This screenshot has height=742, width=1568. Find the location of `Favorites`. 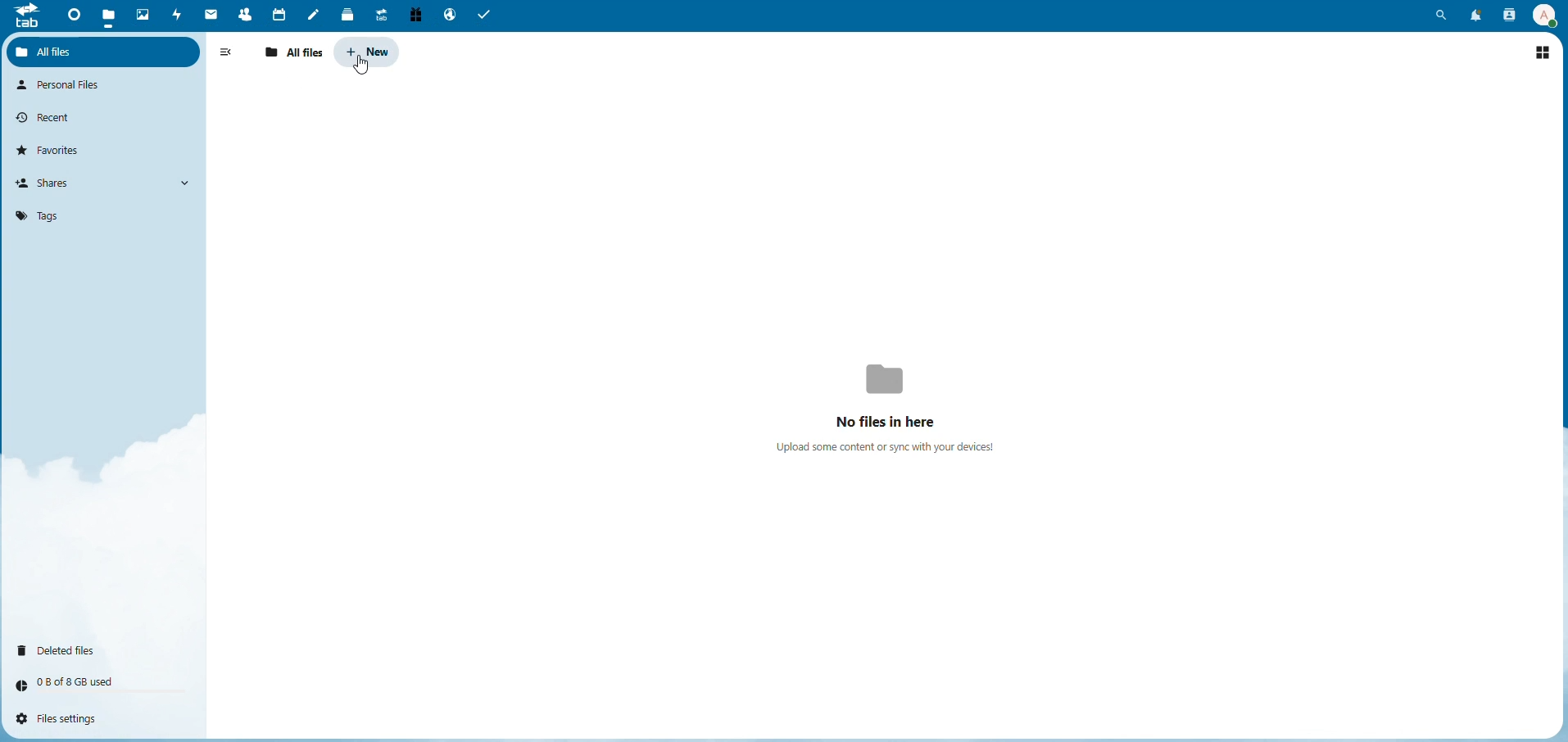

Favorites is located at coordinates (55, 149).